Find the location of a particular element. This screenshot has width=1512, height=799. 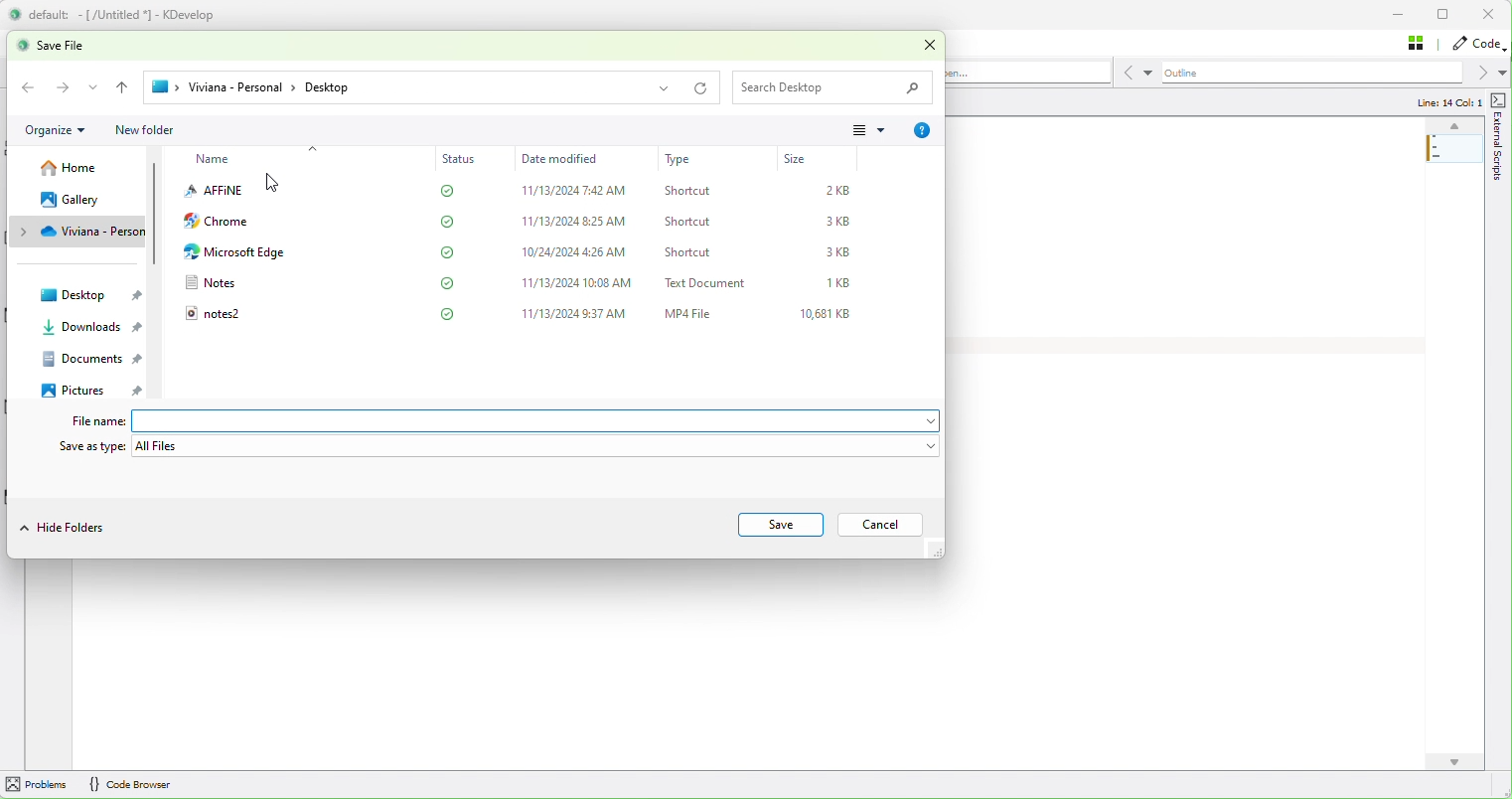

Cancel is located at coordinates (877, 525).